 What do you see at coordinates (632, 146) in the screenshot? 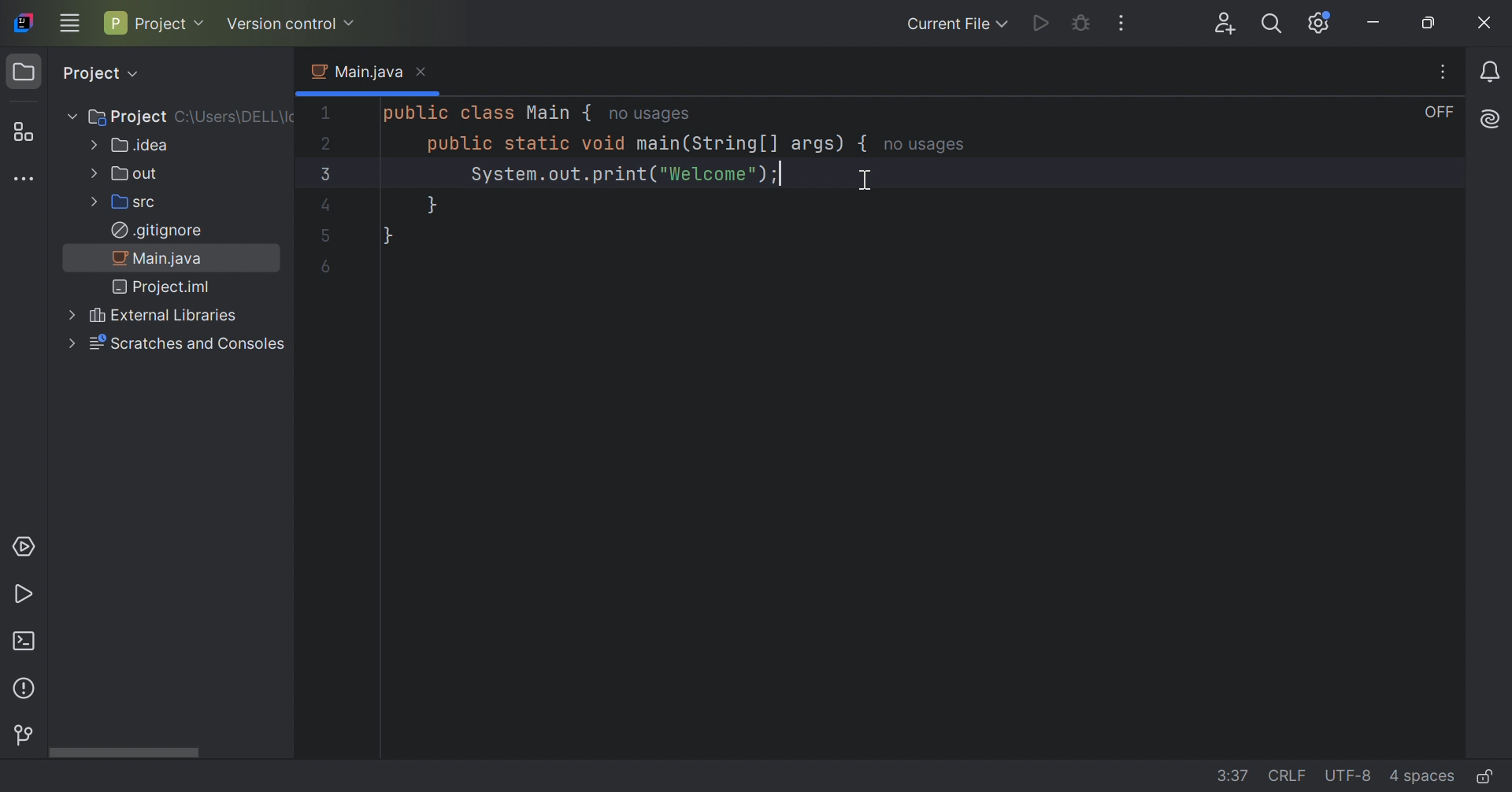
I see `public static void main(String[] args)` at bounding box center [632, 146].